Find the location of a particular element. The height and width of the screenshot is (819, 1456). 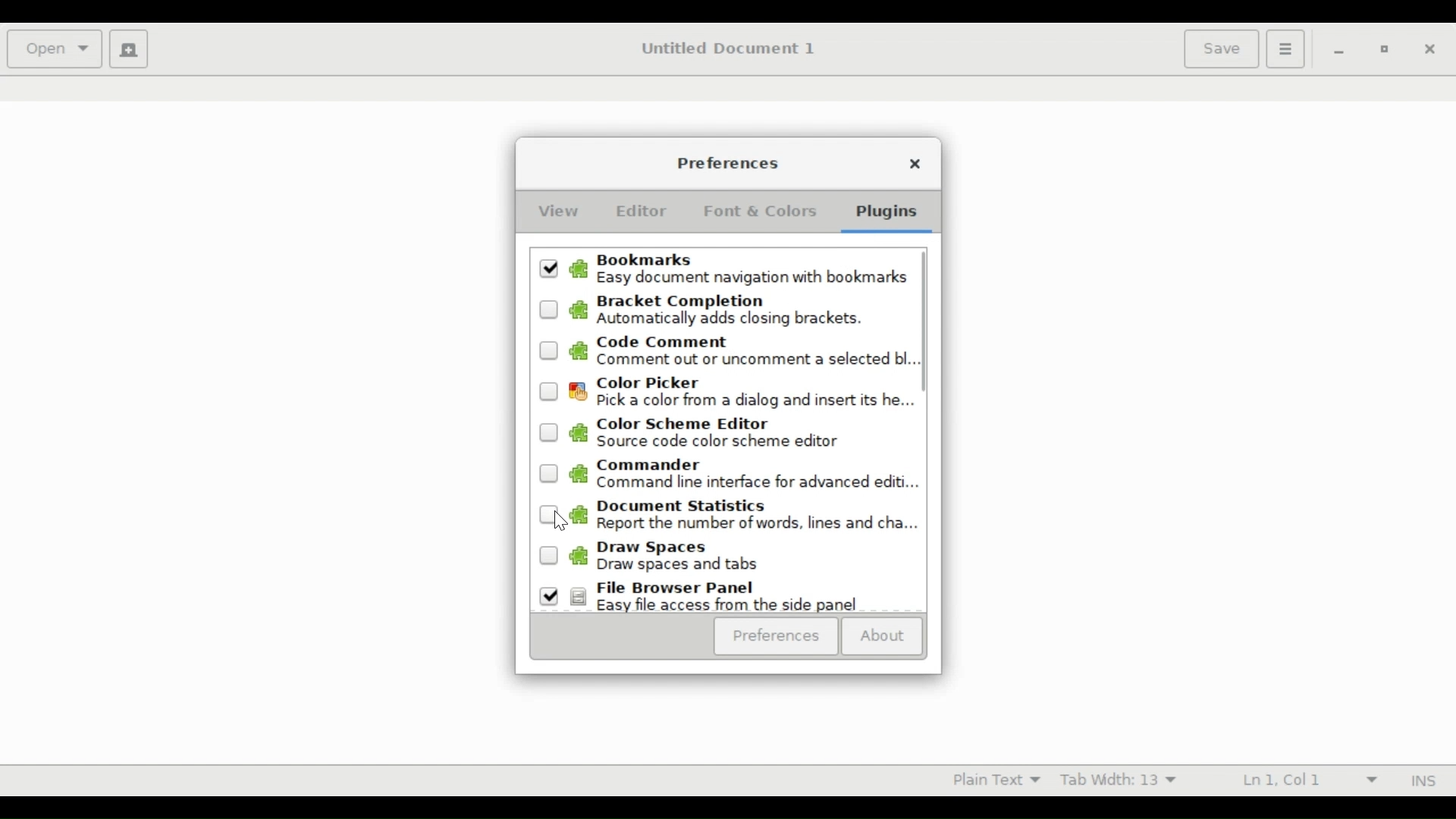

Preferences is located at coordinates (778, 638).